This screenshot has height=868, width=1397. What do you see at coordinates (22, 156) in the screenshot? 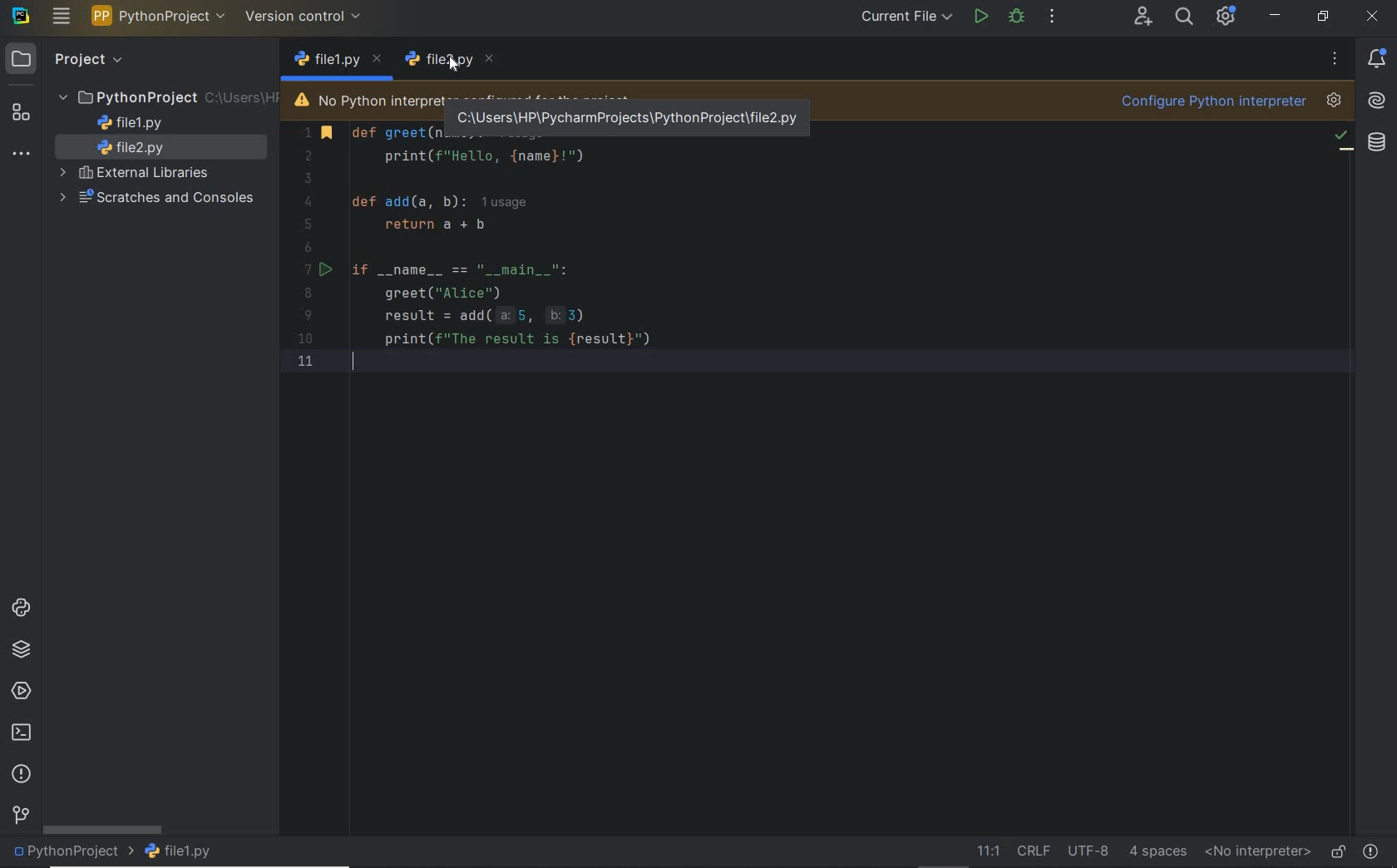
I see `more tool windows` at bounding box center [22, 156].